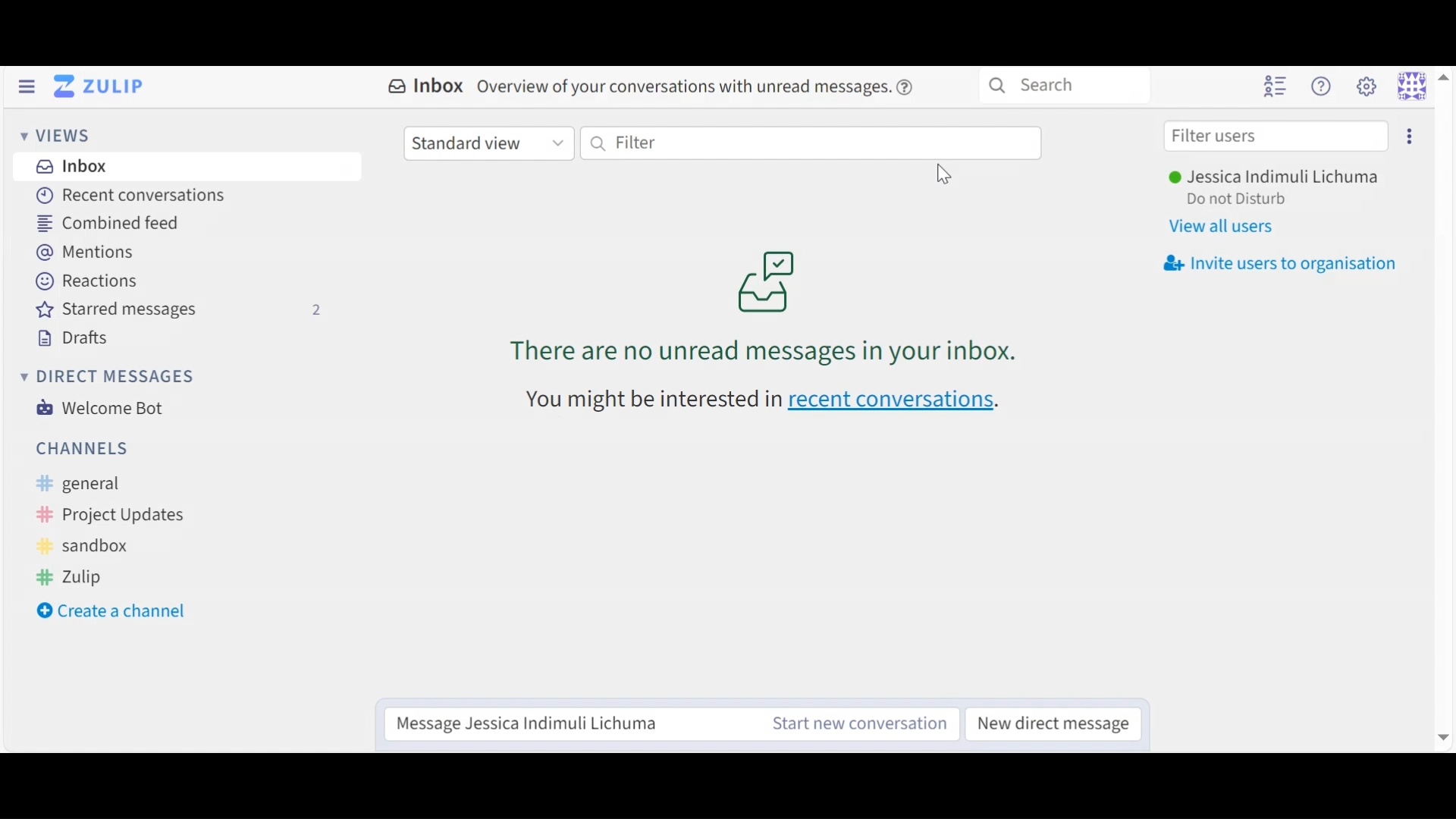 Image resolution: width=1456 pixels, height=819 pixels. What do you see at coordinates (1062, 85) in the screenshot?
I see `Search` at bounding box center [1062, 85].